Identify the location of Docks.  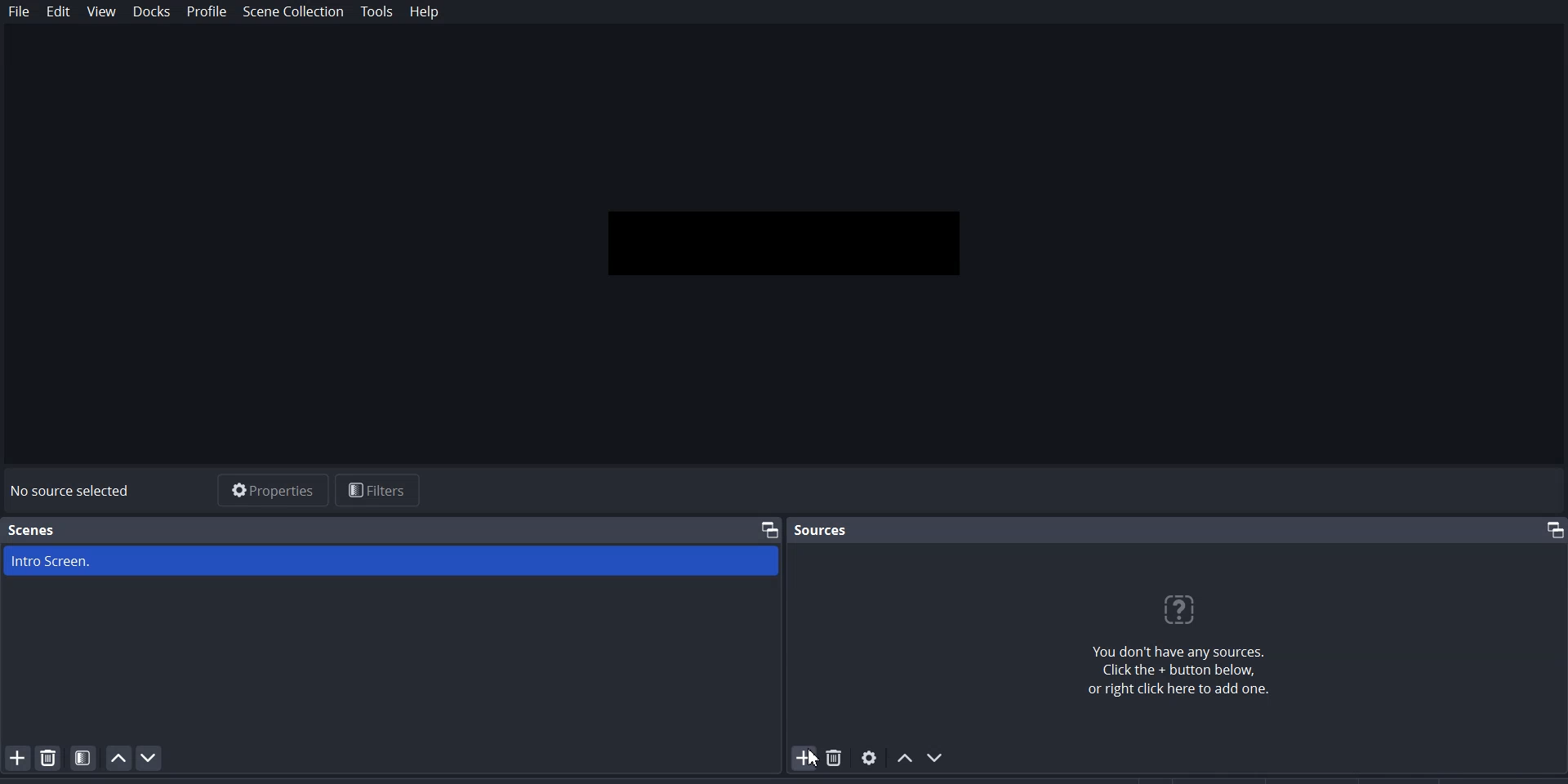
(151, 12).